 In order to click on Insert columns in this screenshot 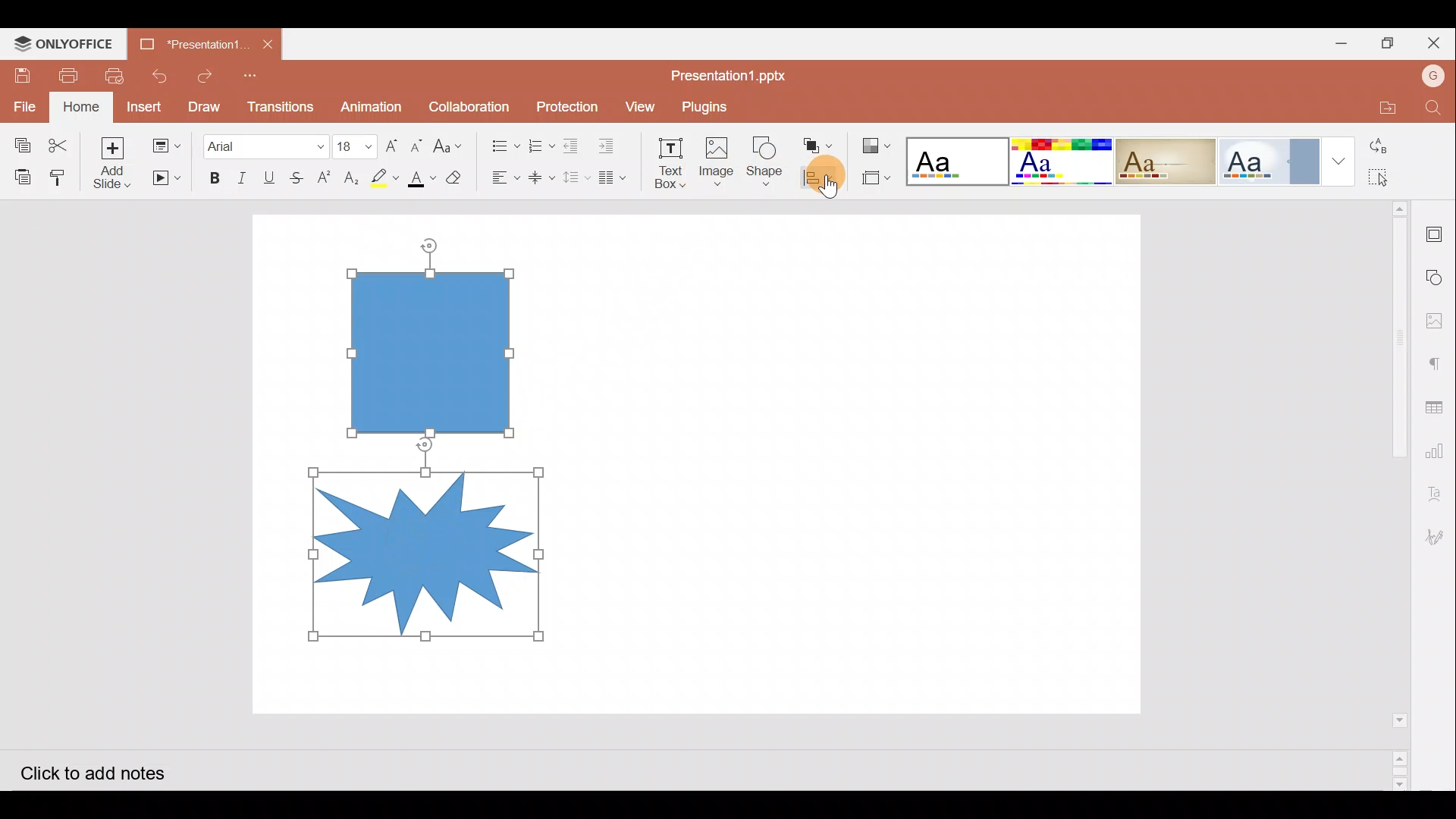, I will do `click(616, 177)`.